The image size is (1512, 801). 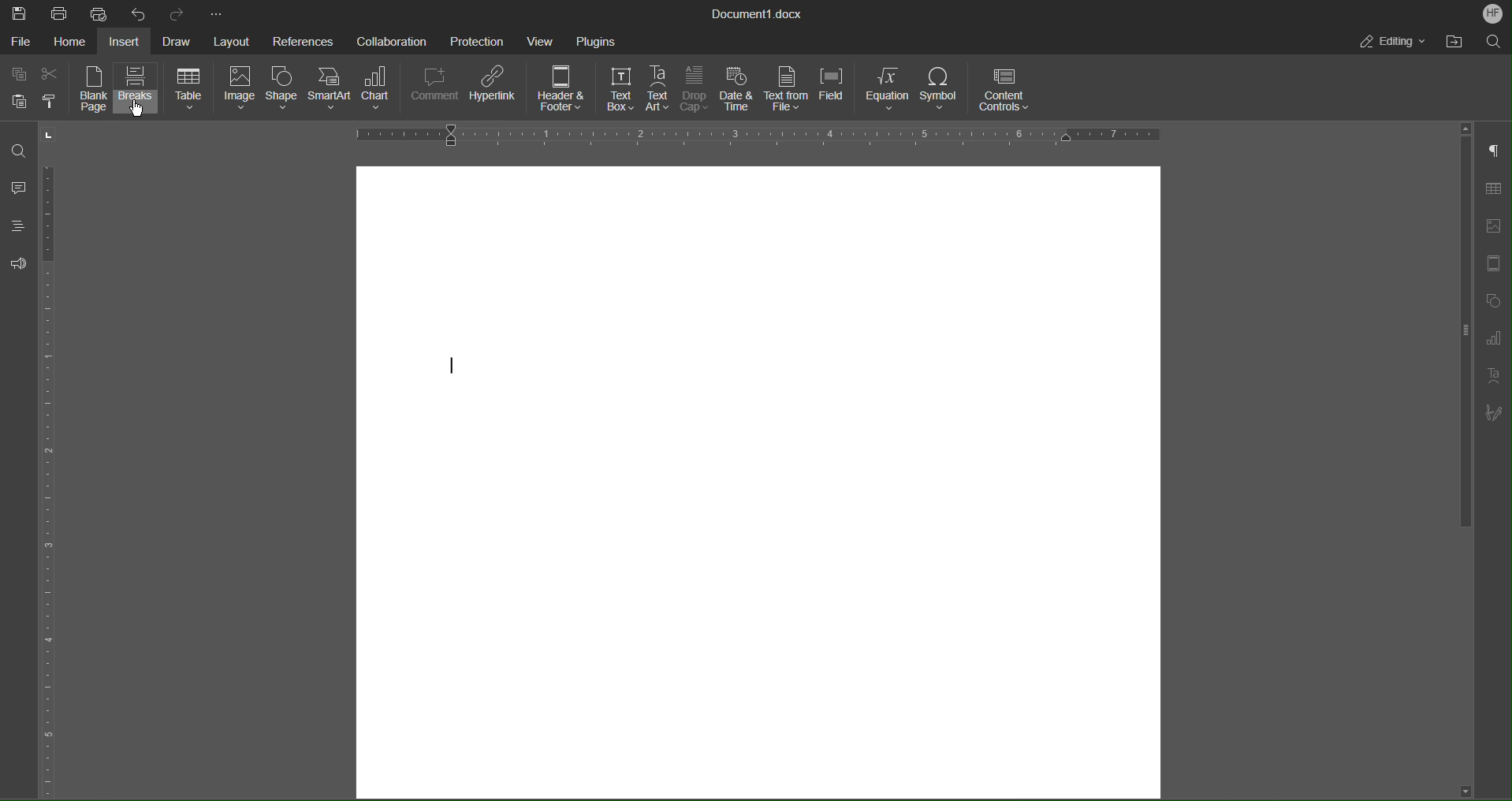 I want to click on Find, so click(x=19, y=152).